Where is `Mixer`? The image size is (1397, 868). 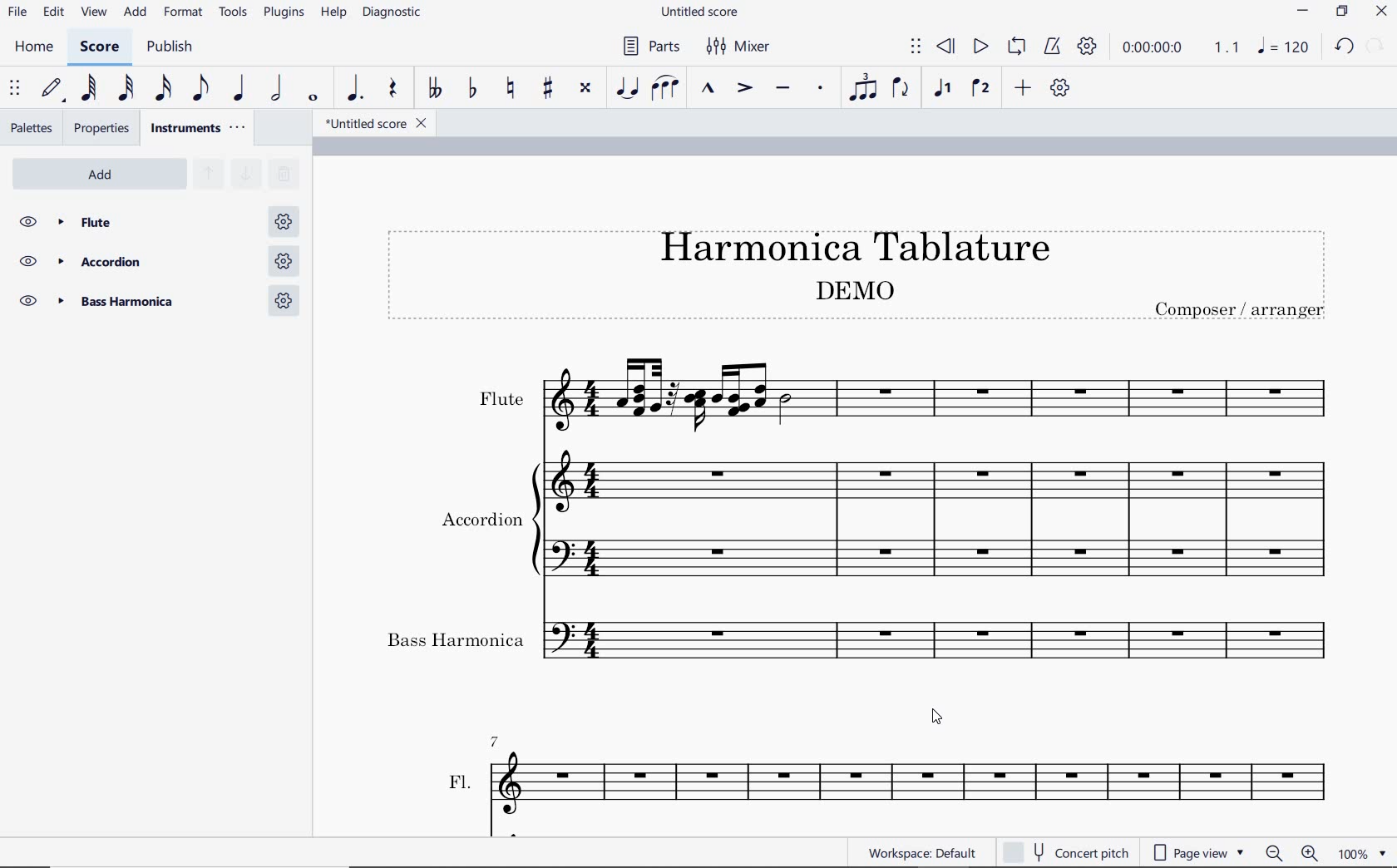 Mixer is located at coordinates (743, 45).